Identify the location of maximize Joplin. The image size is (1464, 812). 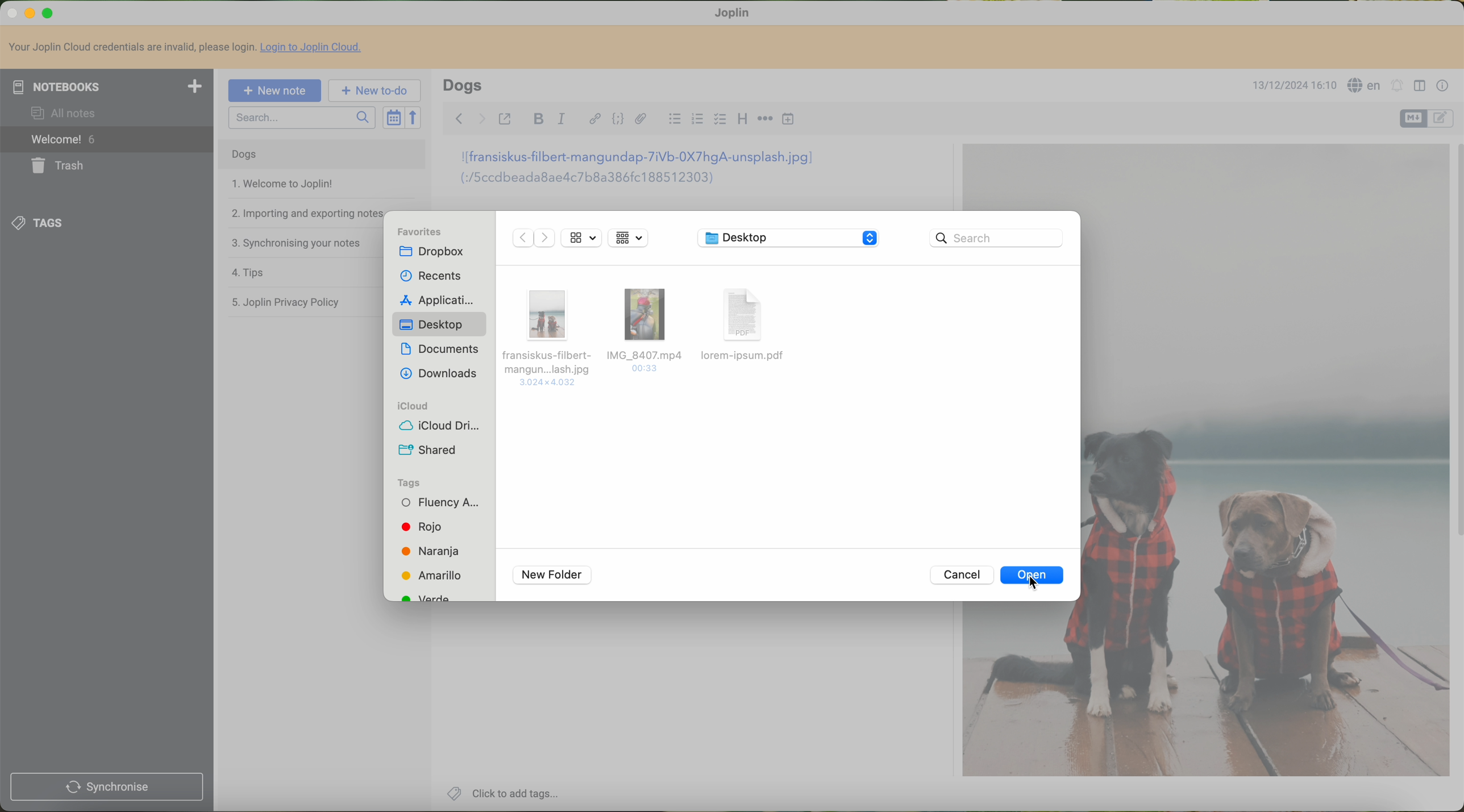
(49, 13).